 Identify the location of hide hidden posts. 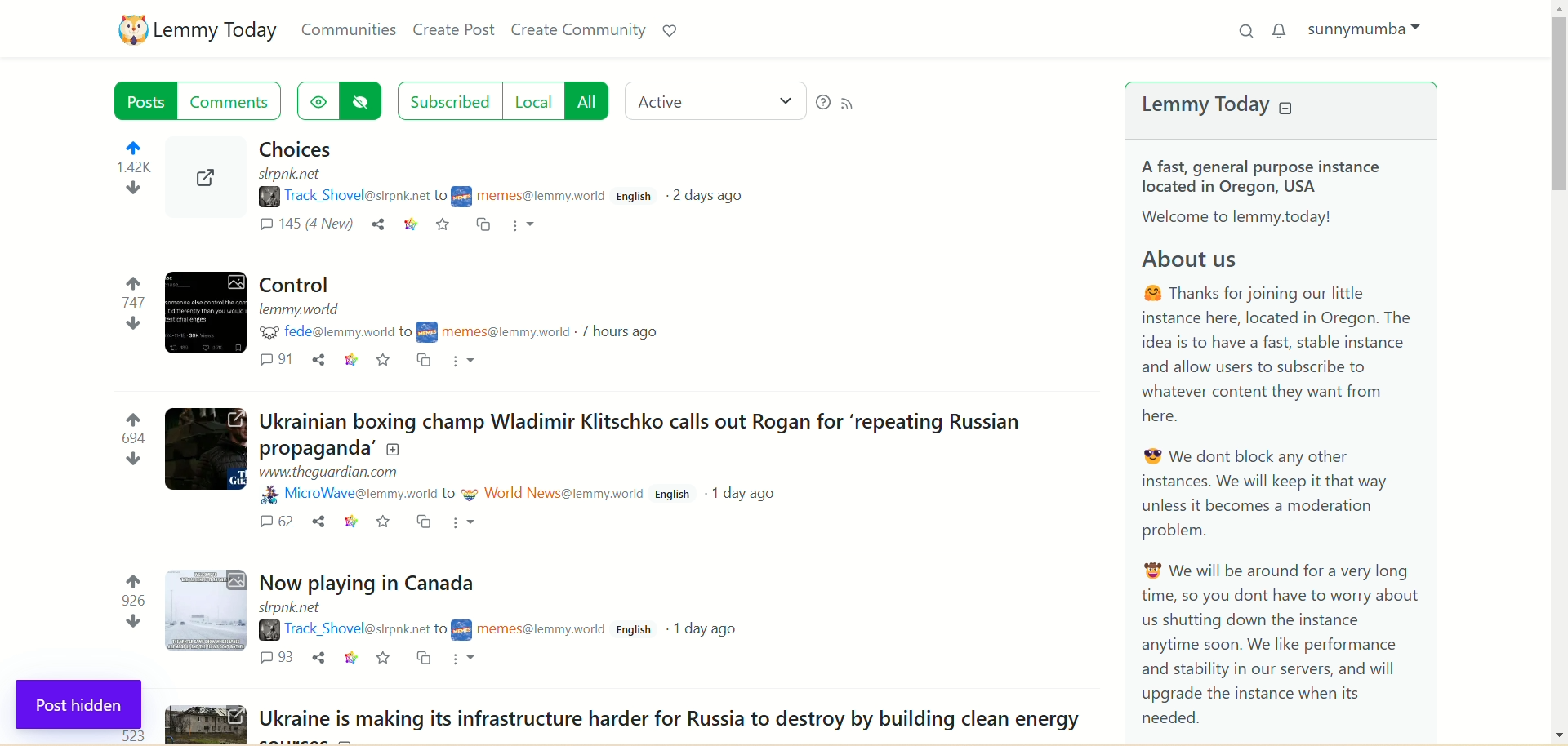
(363, 102).